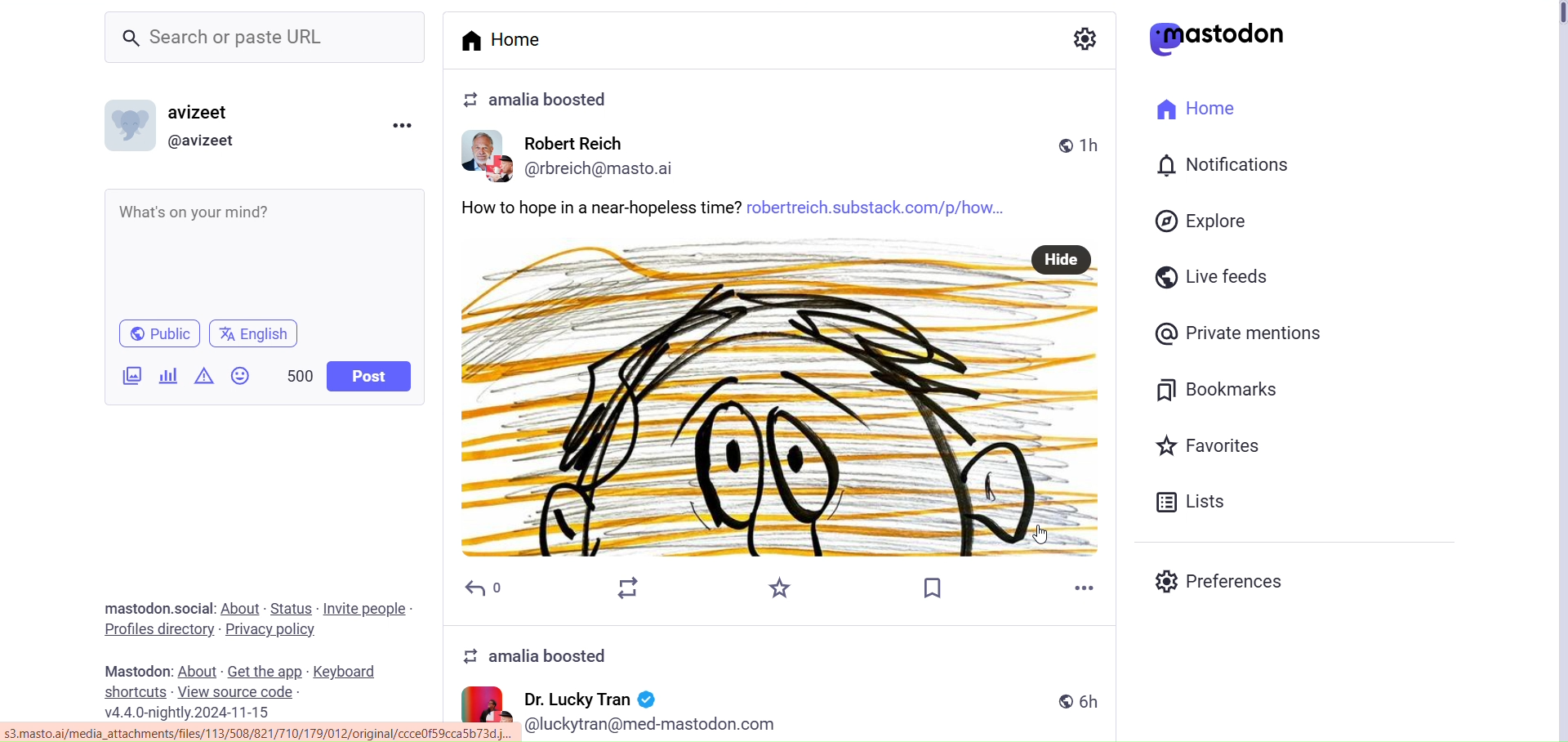 The height and width of the screenshot is (742, 1568). What do you see at coordinates (268, 40) in the screenshot?
I see `Search Bar` at bounding box center [268, 40].